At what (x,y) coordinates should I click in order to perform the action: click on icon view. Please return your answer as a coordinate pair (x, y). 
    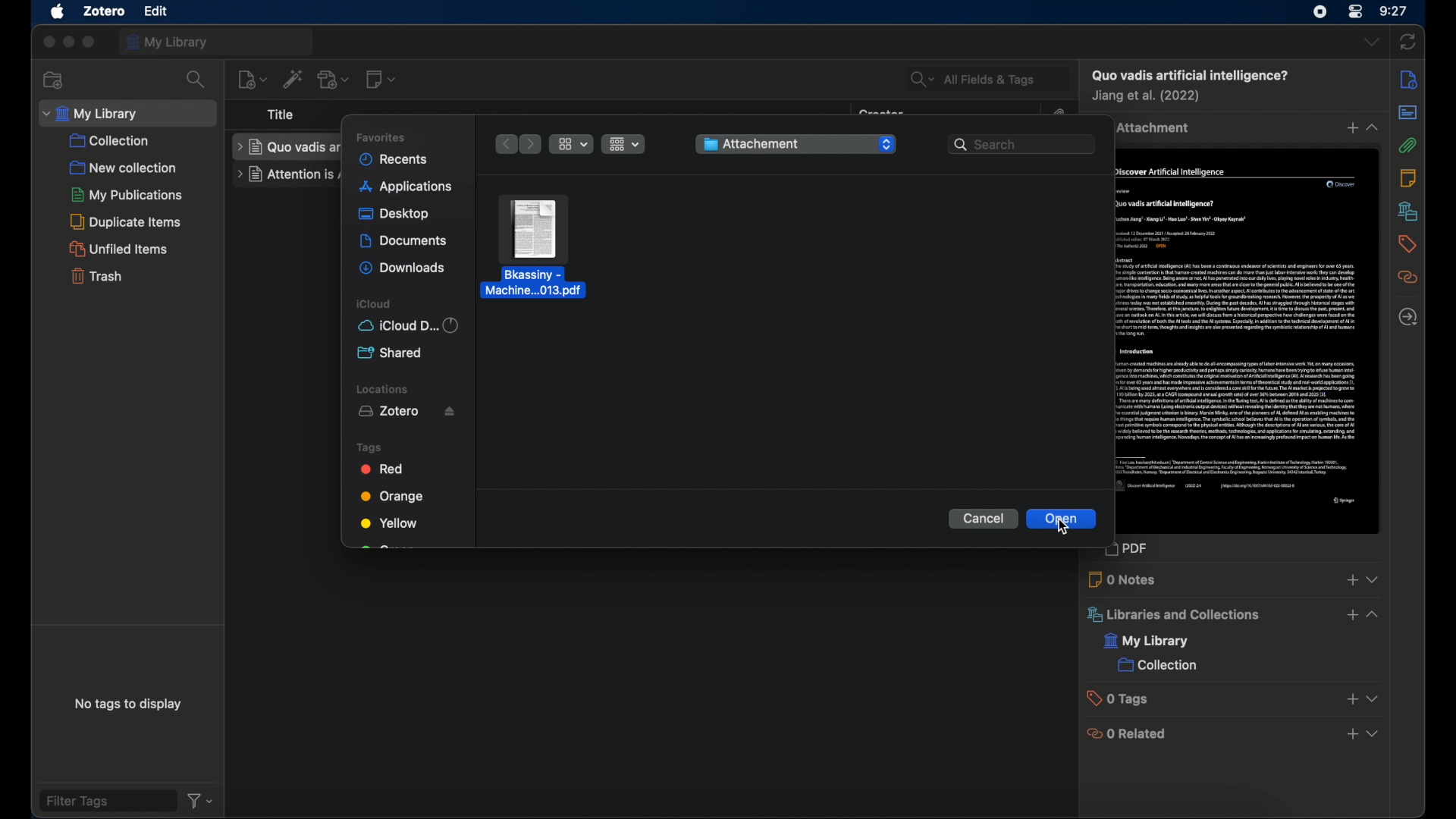
    Looking at the image, I should click on (571, 144).